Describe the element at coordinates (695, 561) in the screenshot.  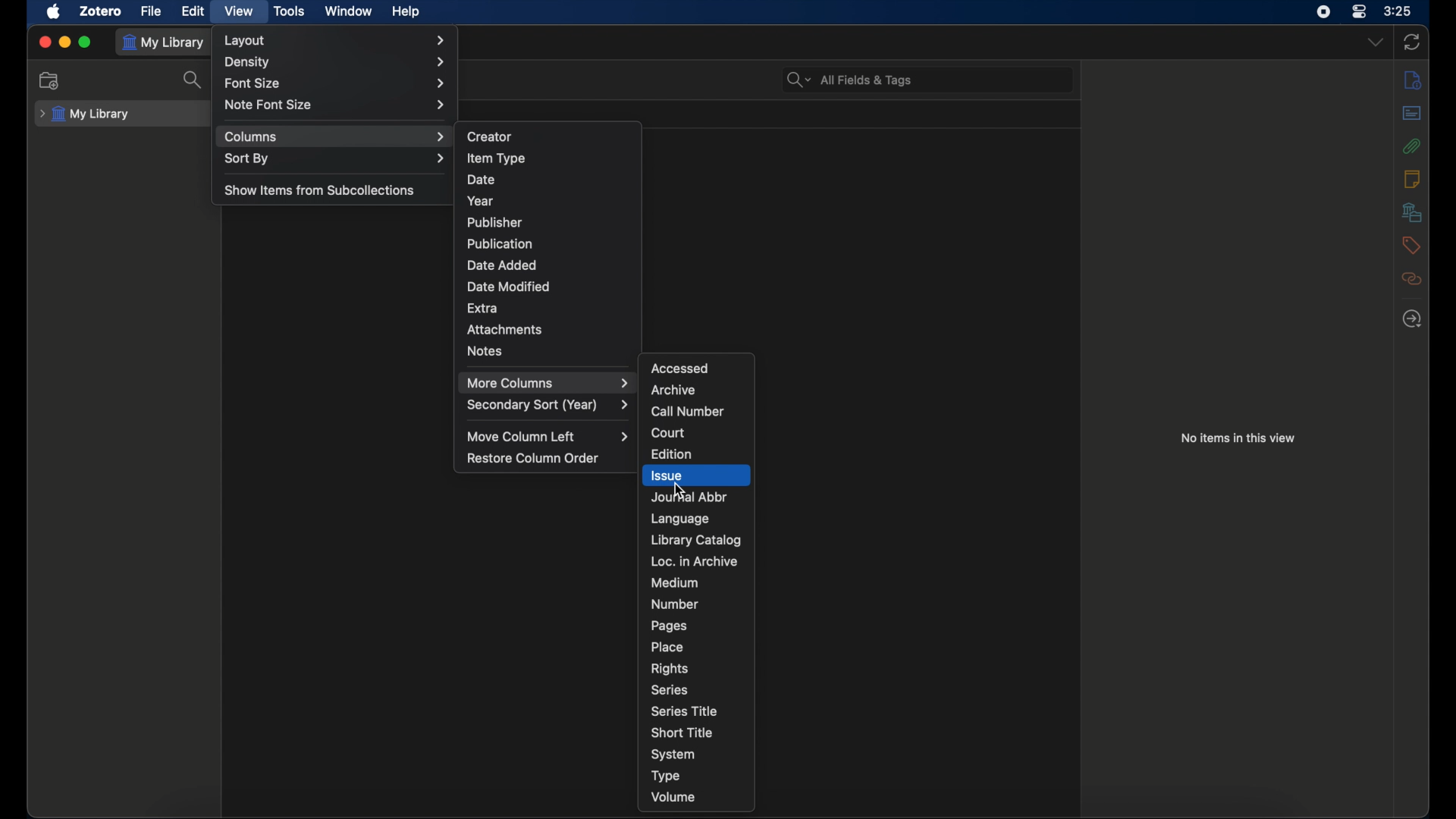
I see `loc. in archive` at that location.